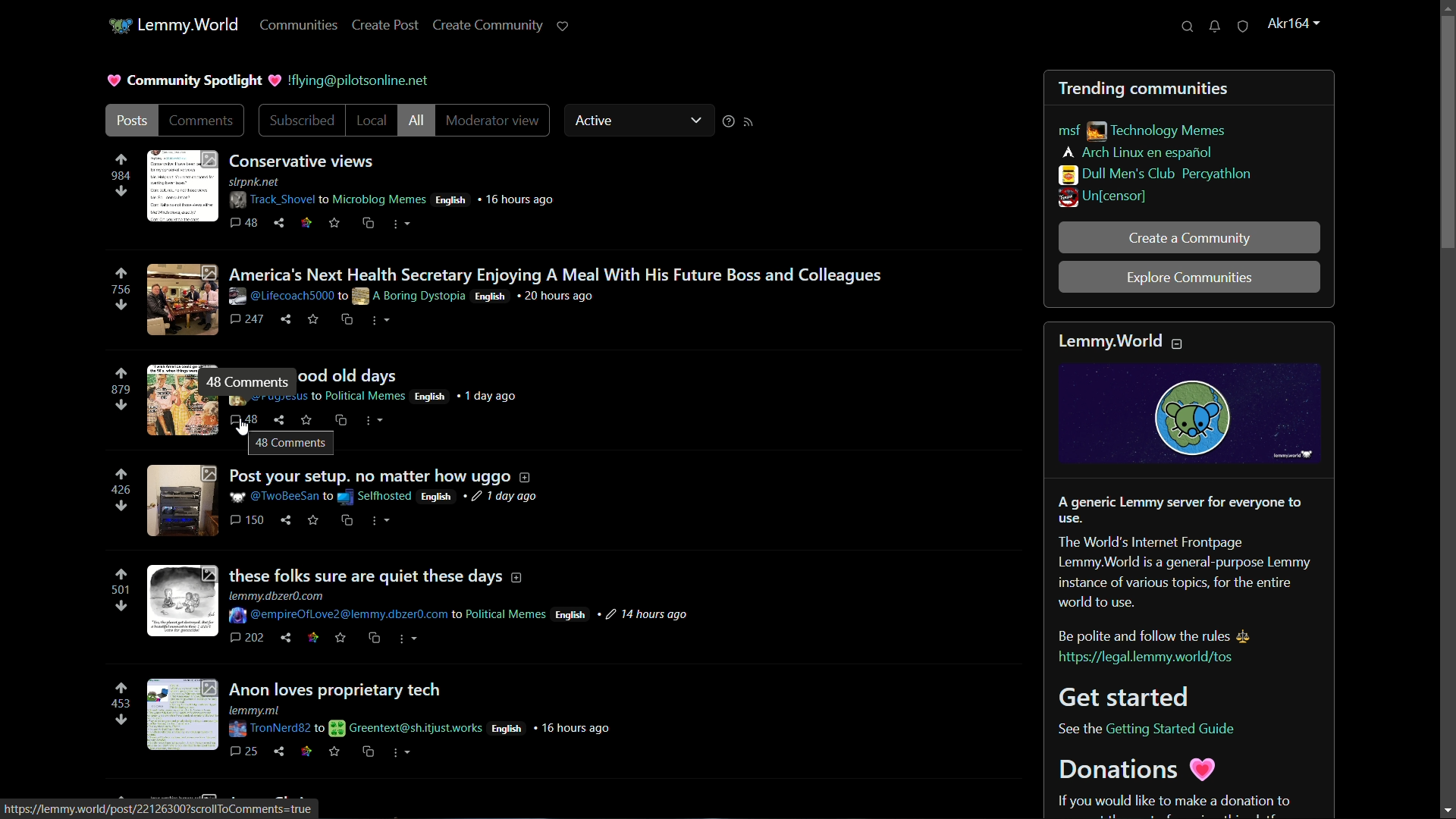 The width and height of the screenshot is (1456, 819). Describe the element at coordinates (357, 396) in the screenshot. I see `to Political Memes` at that location.